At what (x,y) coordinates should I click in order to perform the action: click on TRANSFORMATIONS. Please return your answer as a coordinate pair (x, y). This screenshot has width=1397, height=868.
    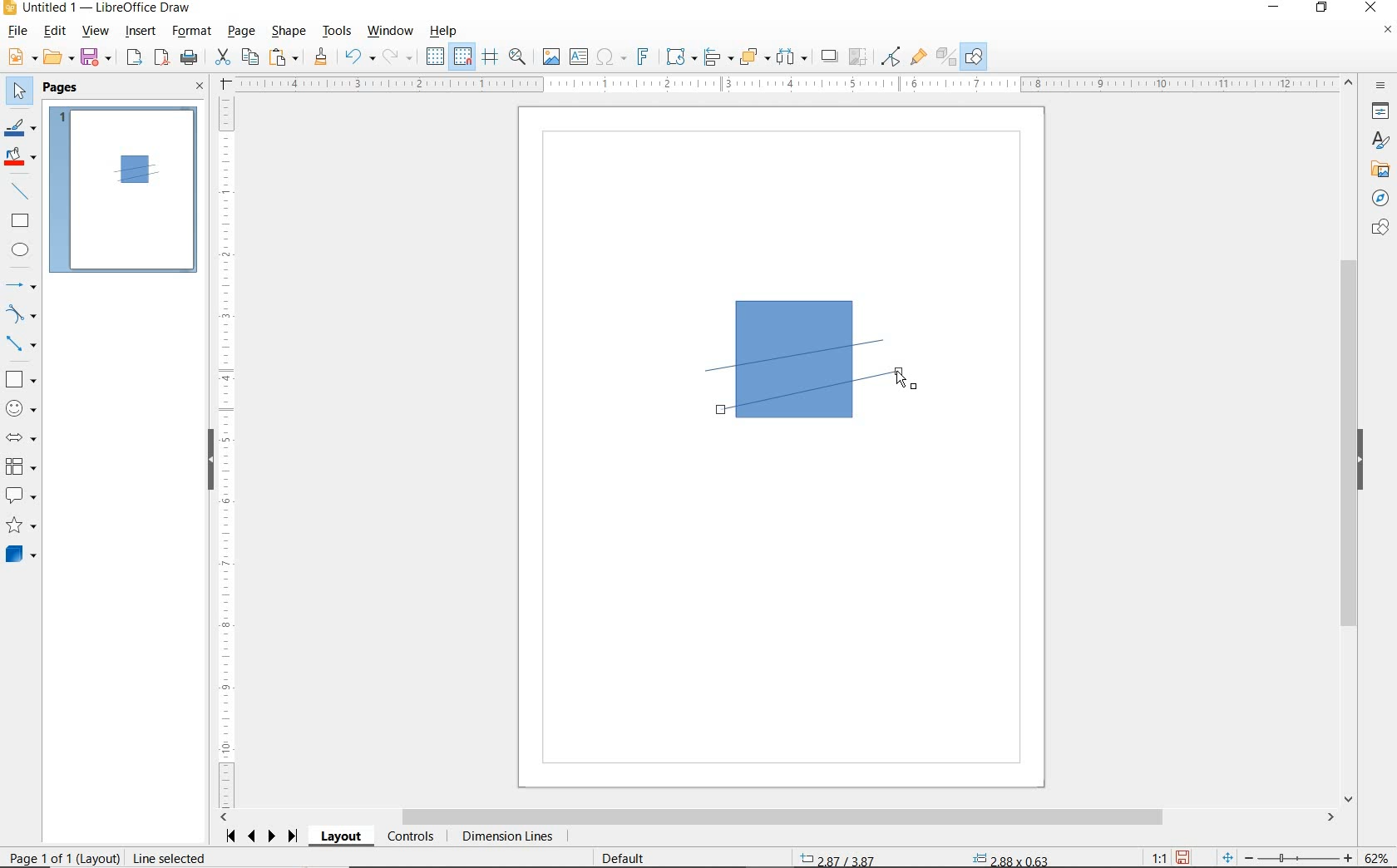
    Looking at the image, I should click on (679, 57).